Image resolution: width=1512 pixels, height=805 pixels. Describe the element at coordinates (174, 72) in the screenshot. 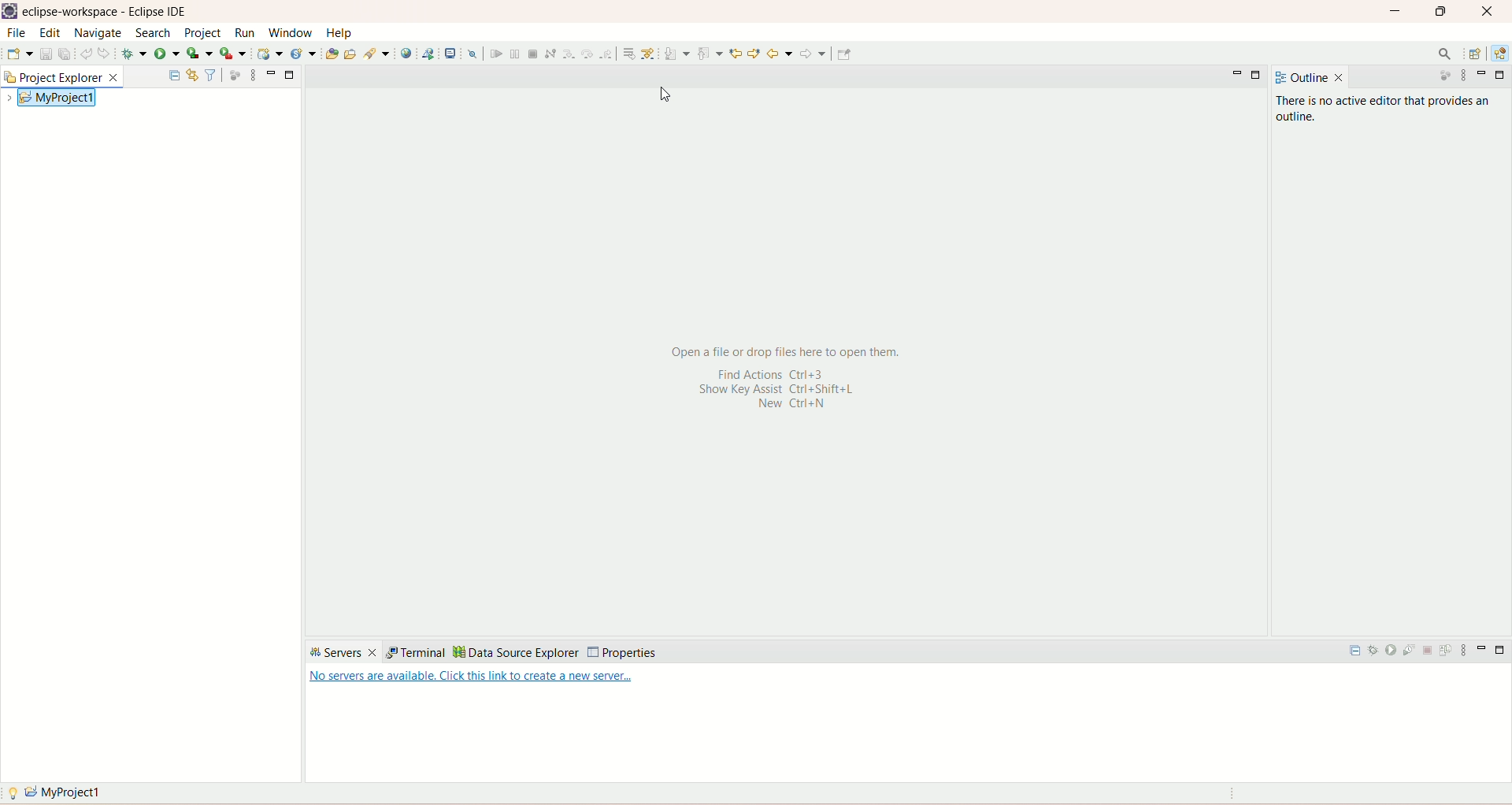

I see `collapse all` at that location.